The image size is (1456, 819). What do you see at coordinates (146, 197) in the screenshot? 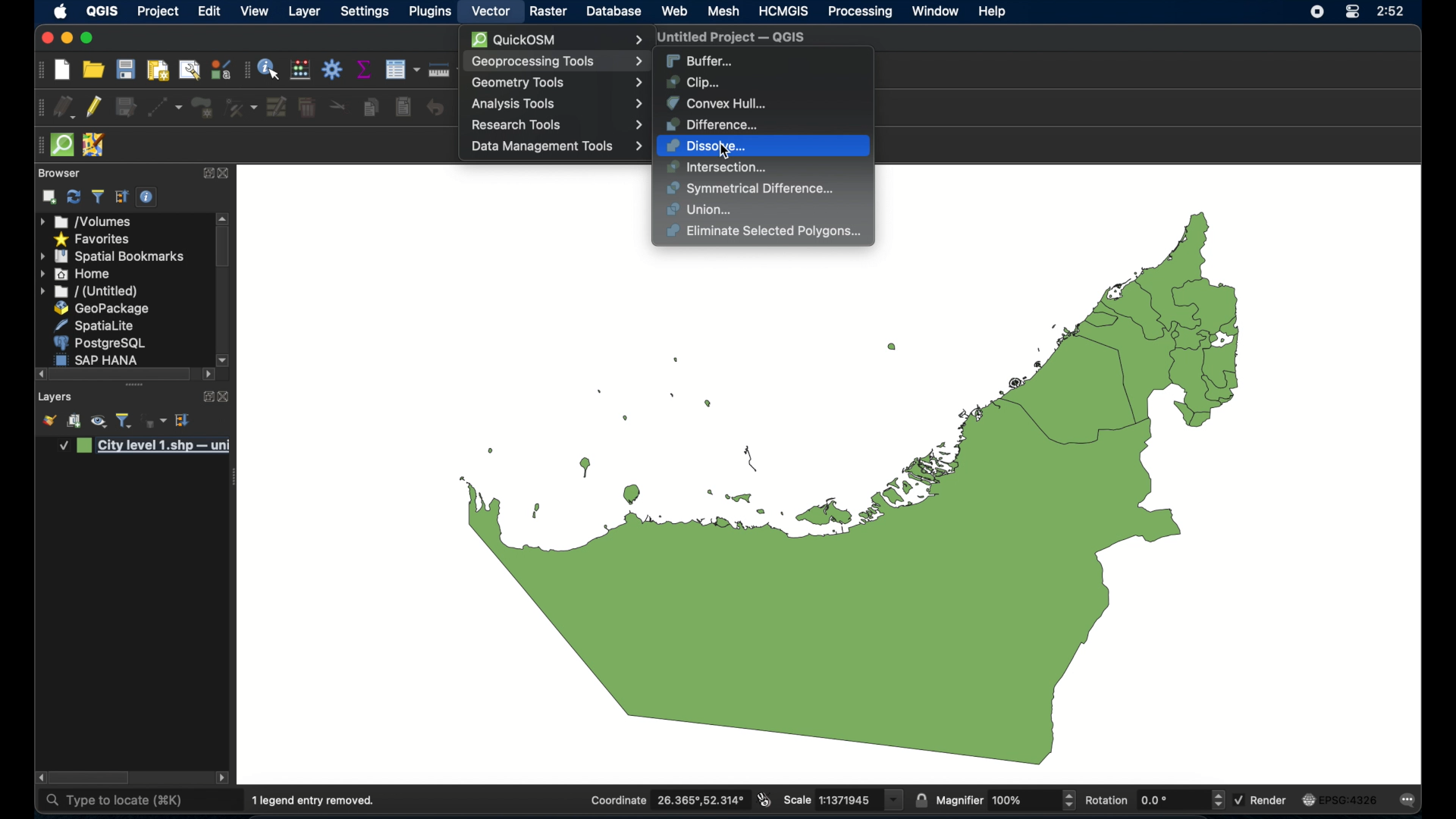
I see `enable/disable properties widget` at bounding box center [146, 197].